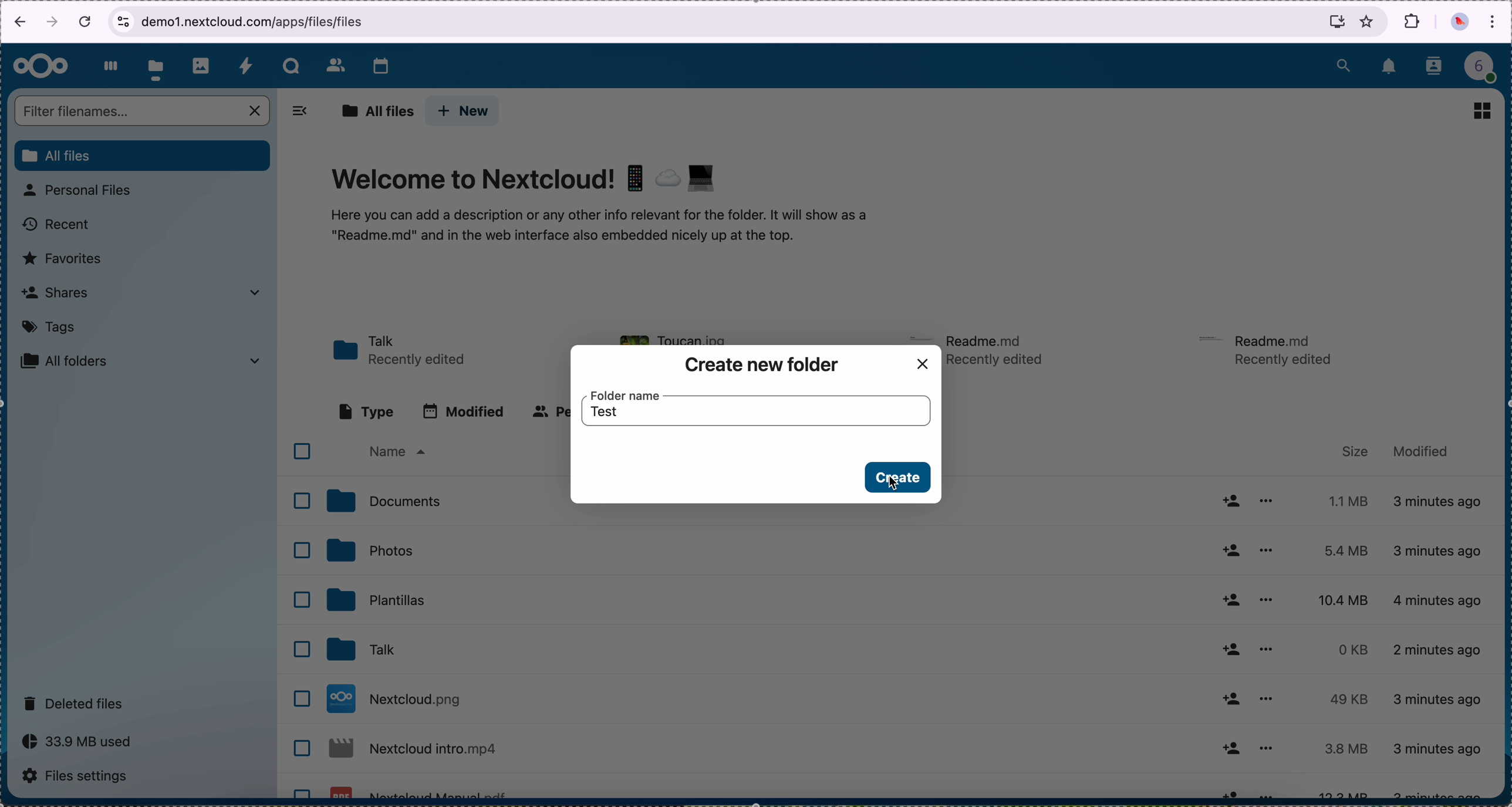 This screenshot has height=807, width=1512. I want to click on 3 minutes ago, so click(1440, 503).